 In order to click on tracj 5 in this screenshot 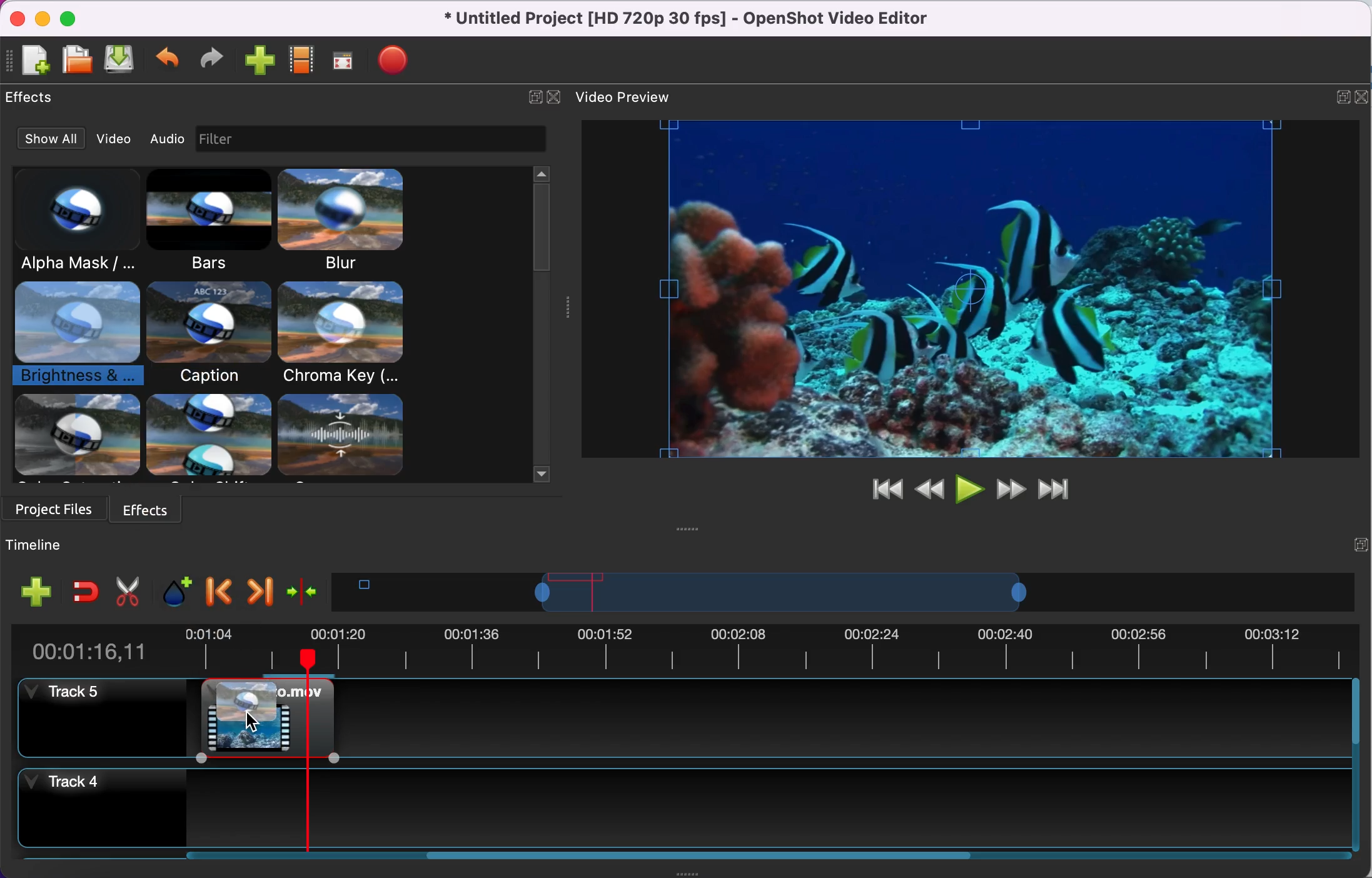, I will do `click(98, 719)`.